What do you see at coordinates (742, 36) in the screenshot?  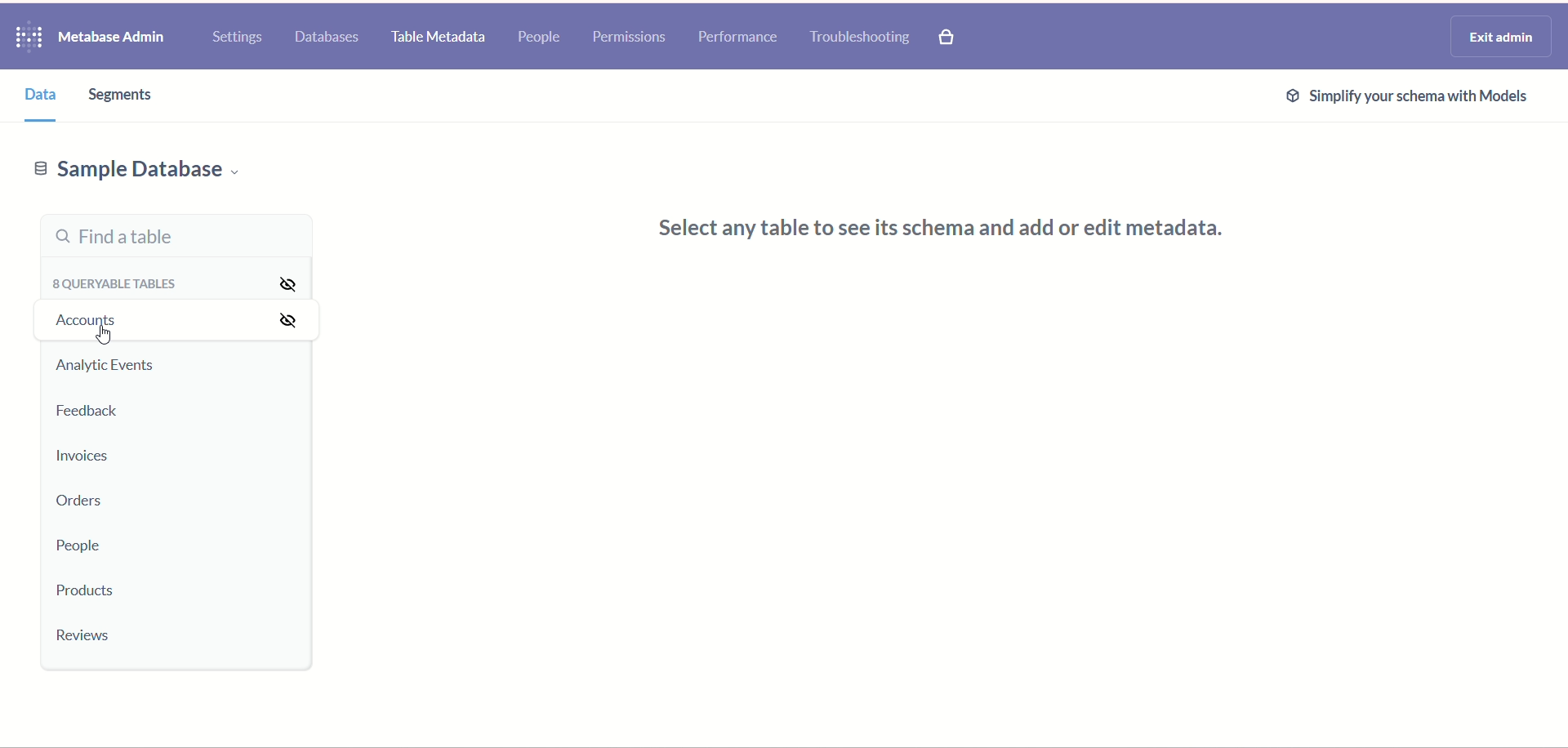 I see `performance` at bounding box center [742, 36].